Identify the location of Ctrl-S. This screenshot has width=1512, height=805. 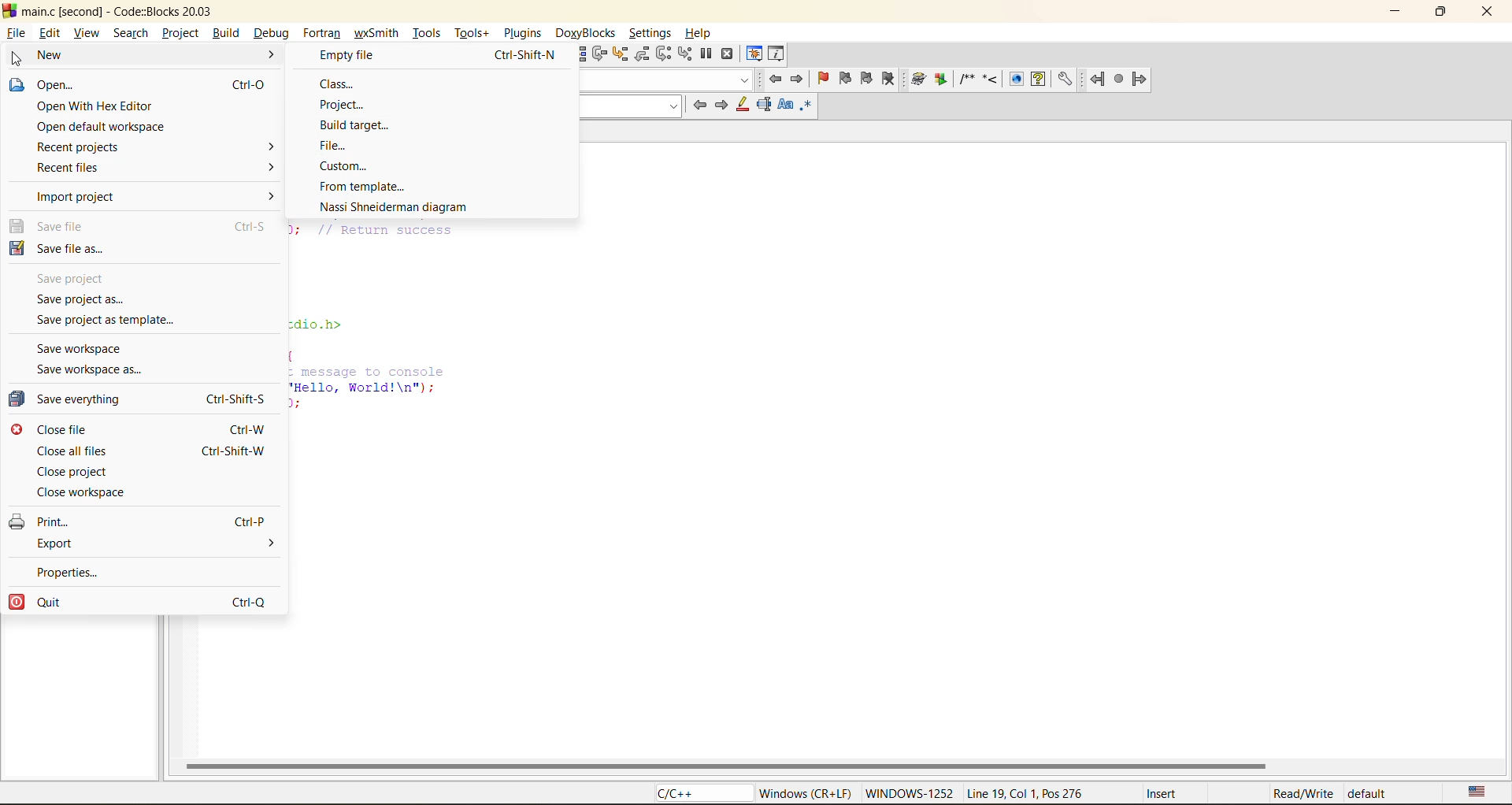
(246, 225).